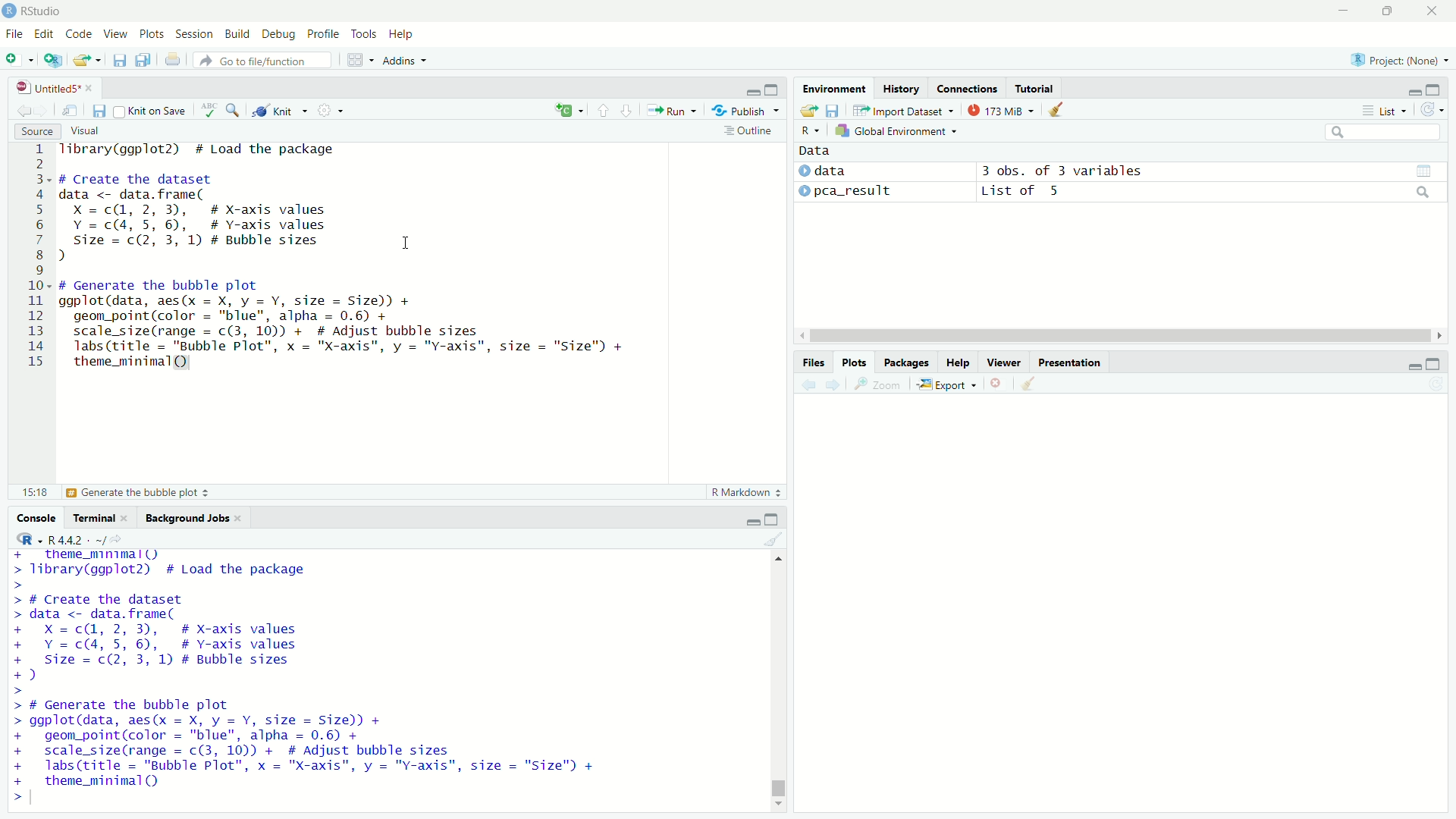  What do you see at coordinates (967, 88) in the screenshot?
I see `connections` at bounding box center [967, 88].